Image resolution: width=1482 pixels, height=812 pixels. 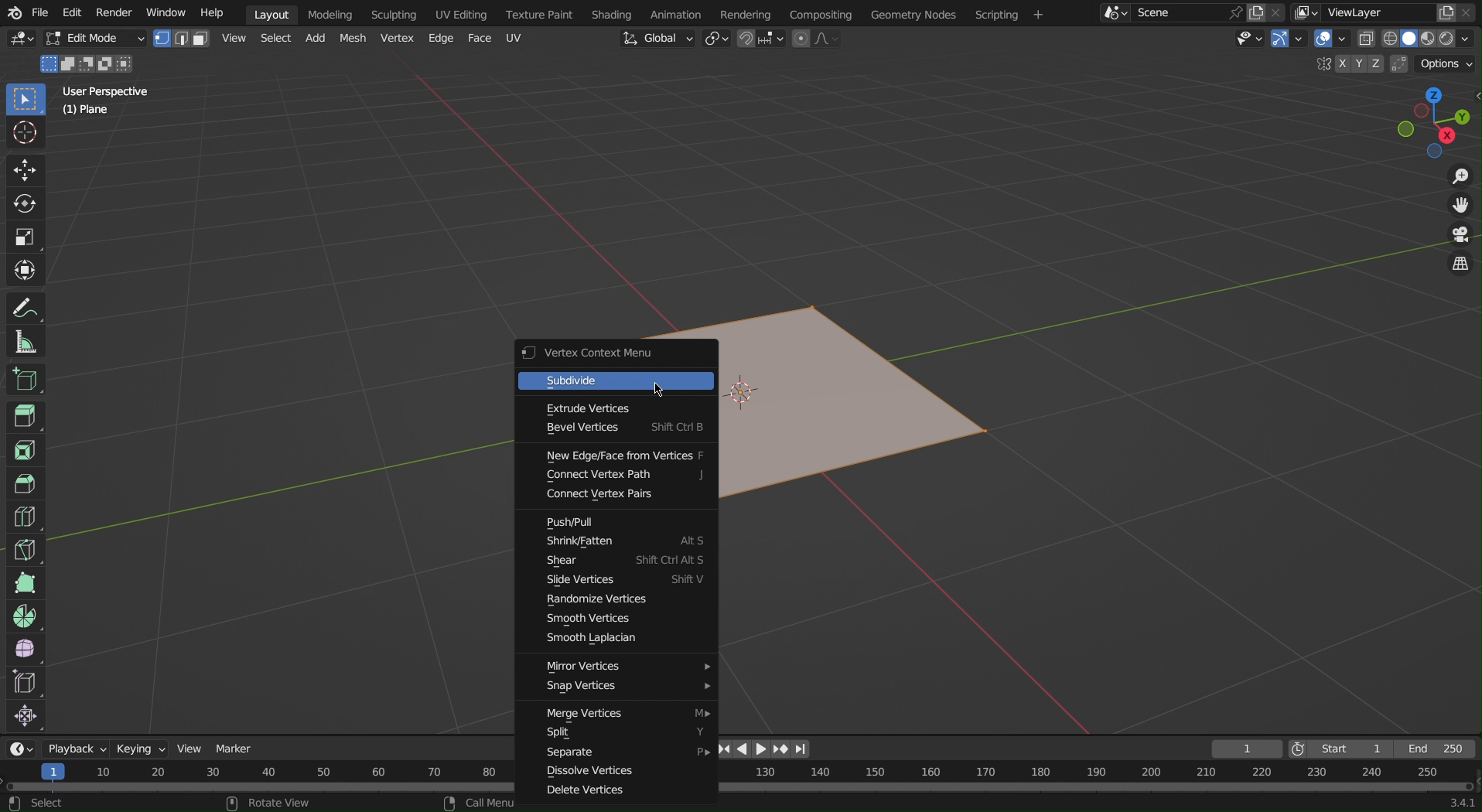 I want to click on View, so click(x=194, y=744).